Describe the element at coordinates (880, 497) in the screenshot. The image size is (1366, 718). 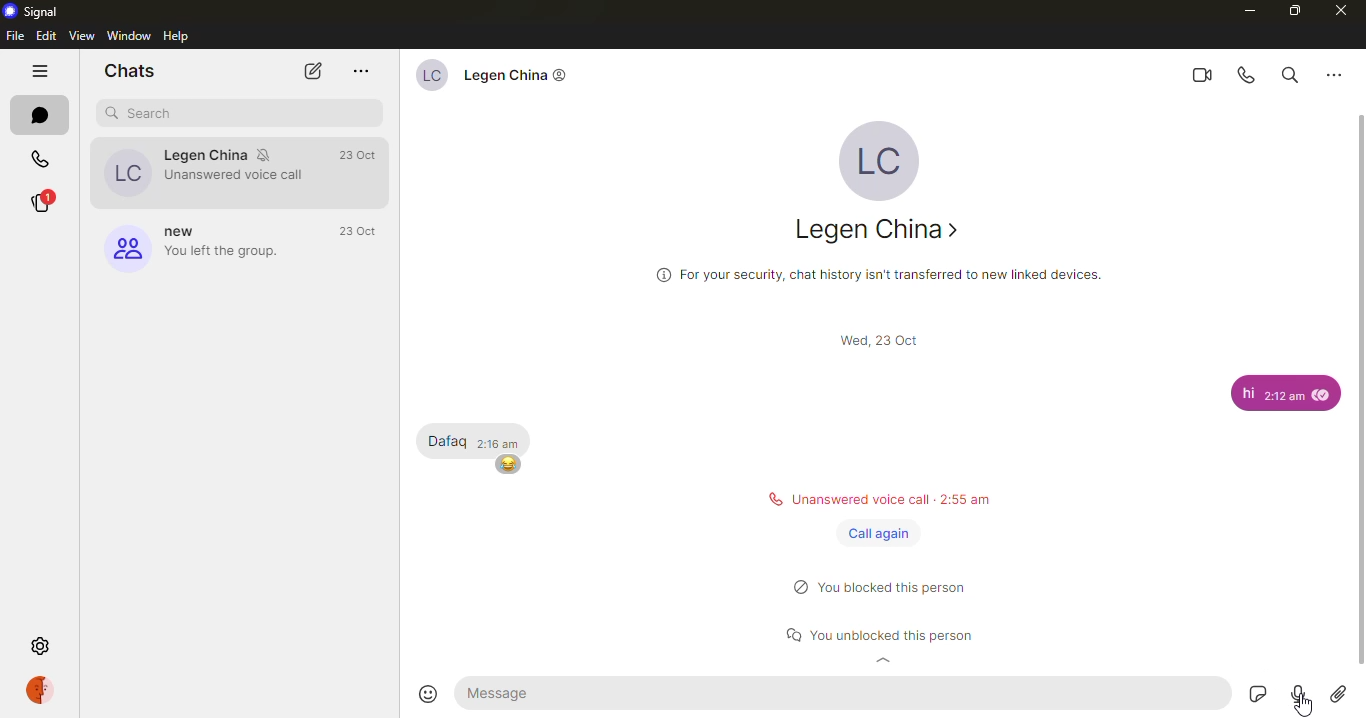
I see `status message` at that location.